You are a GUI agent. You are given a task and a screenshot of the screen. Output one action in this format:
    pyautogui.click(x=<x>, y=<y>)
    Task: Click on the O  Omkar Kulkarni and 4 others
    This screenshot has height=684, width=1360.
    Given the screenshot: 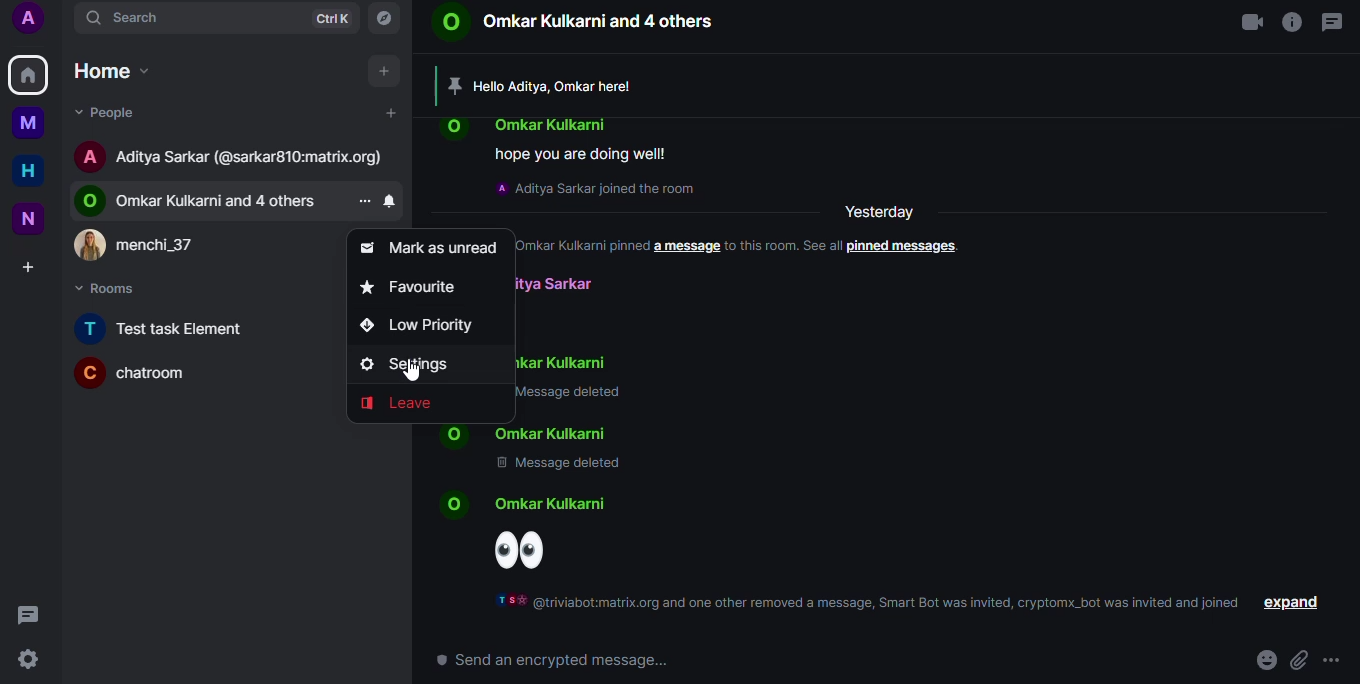 What is the action you would take?
    pyautogui.click(x=222, y=201)
    